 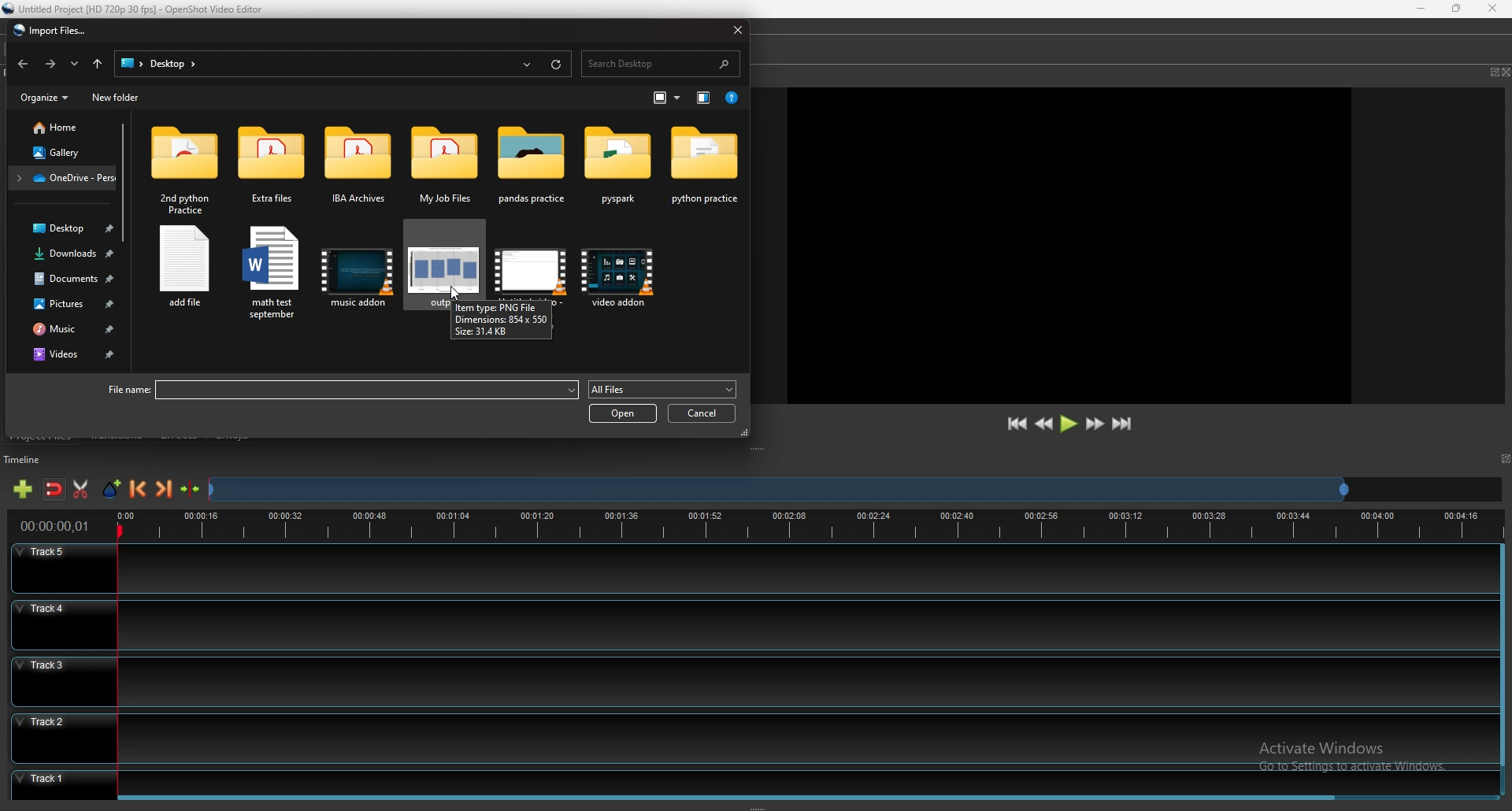 What do you see at coordinates (1423, 9) in the screenshot?
I see `minimize` at bounding box center [1423, 9].